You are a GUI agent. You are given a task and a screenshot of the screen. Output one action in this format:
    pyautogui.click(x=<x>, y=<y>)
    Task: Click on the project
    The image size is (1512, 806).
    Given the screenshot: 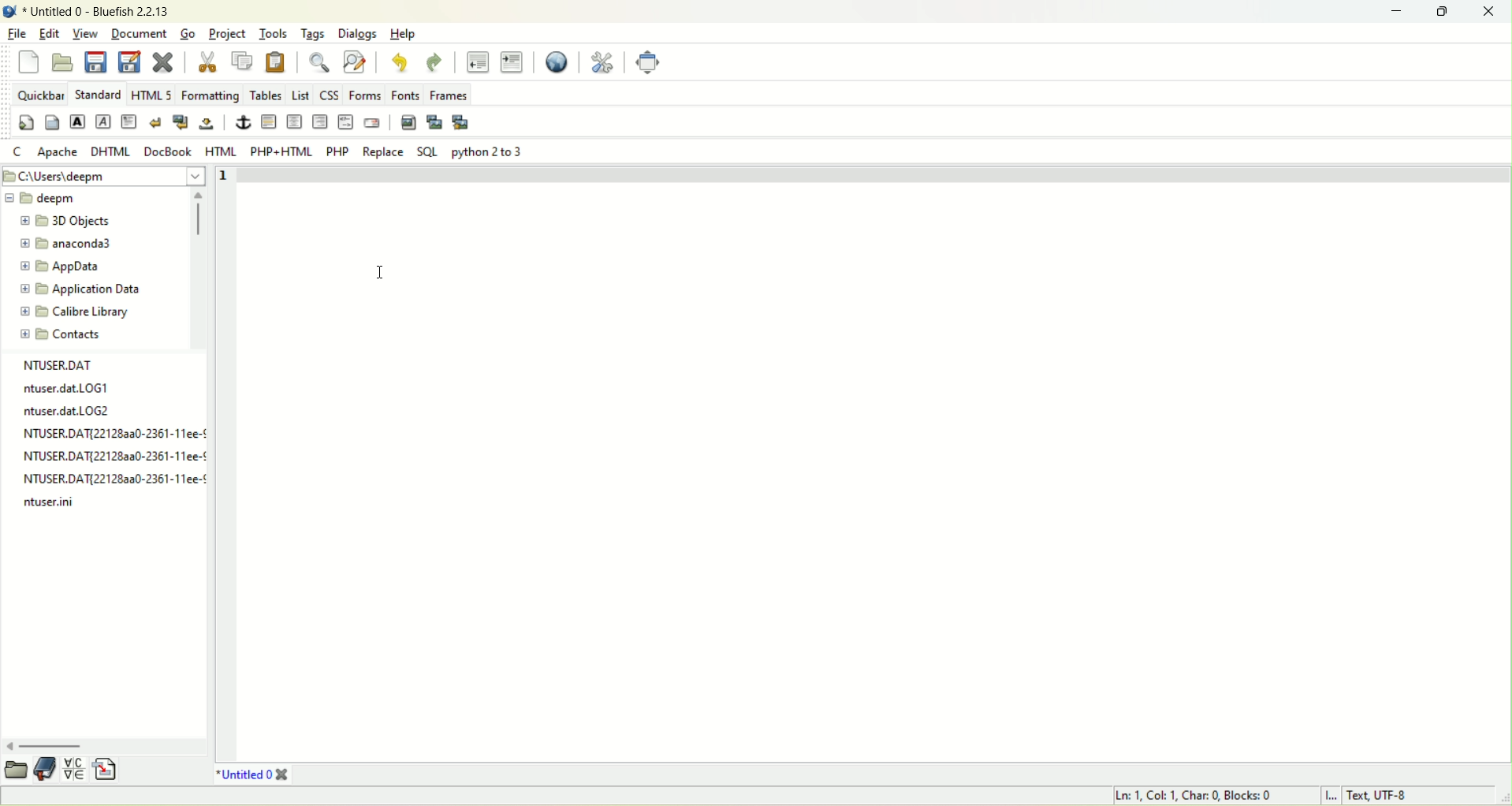 What is the action you would take?
    pyautogui.click(x=228, y=35)
    